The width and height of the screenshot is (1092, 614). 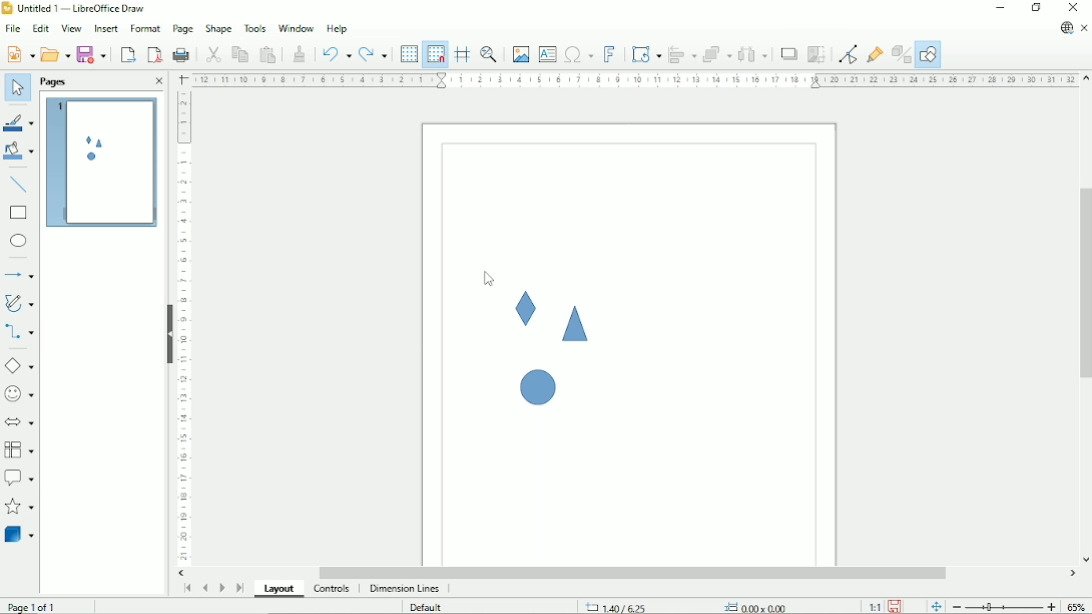 I want to click on Toggle extrusion, so click(x=901, y=55).